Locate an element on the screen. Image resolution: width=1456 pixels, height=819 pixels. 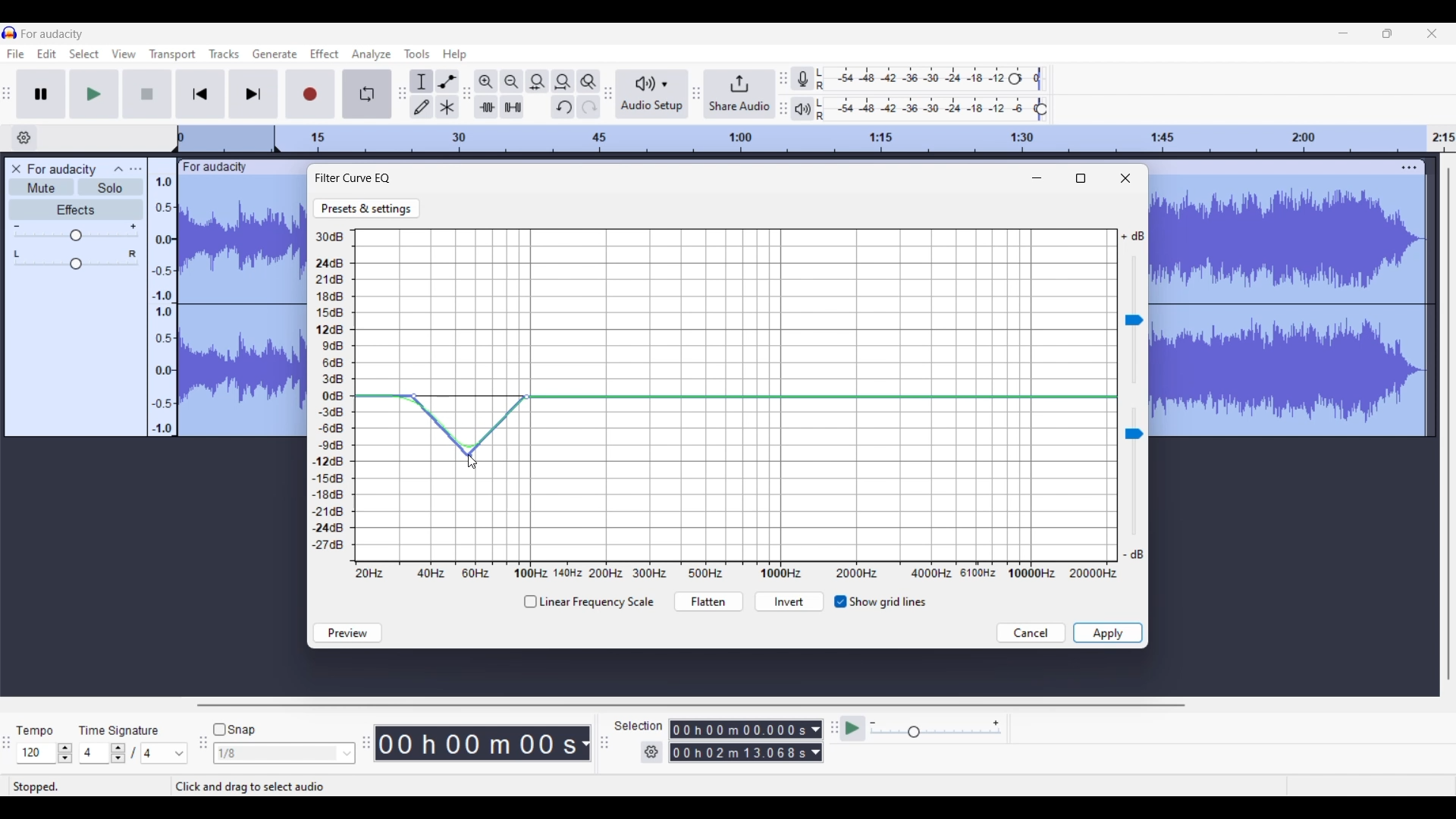
Play/Play once is located at coordinates (93, 94).